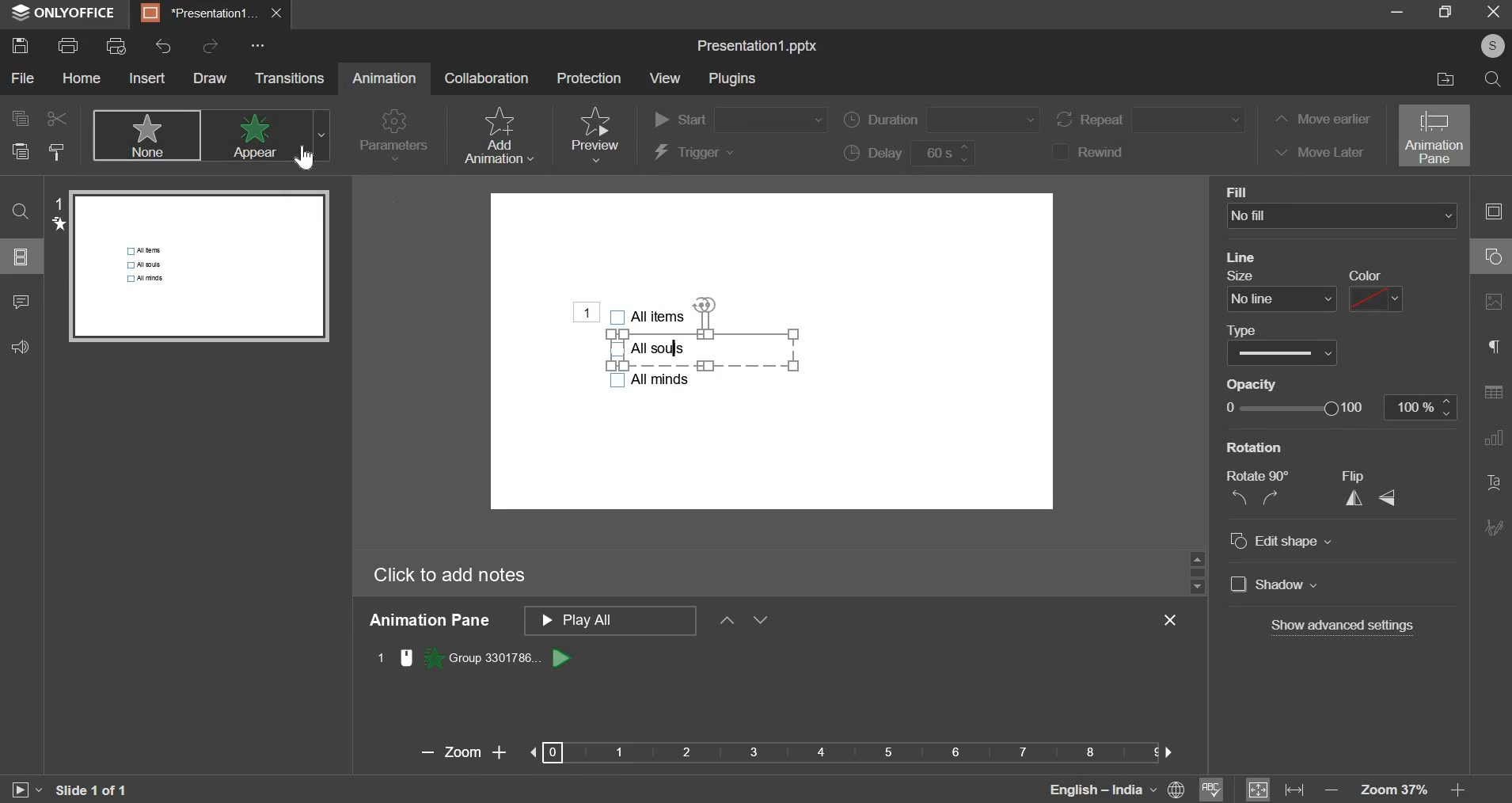  Describe the element at coordinates (940, 120) in the screenshot. I see `duration` at that location.